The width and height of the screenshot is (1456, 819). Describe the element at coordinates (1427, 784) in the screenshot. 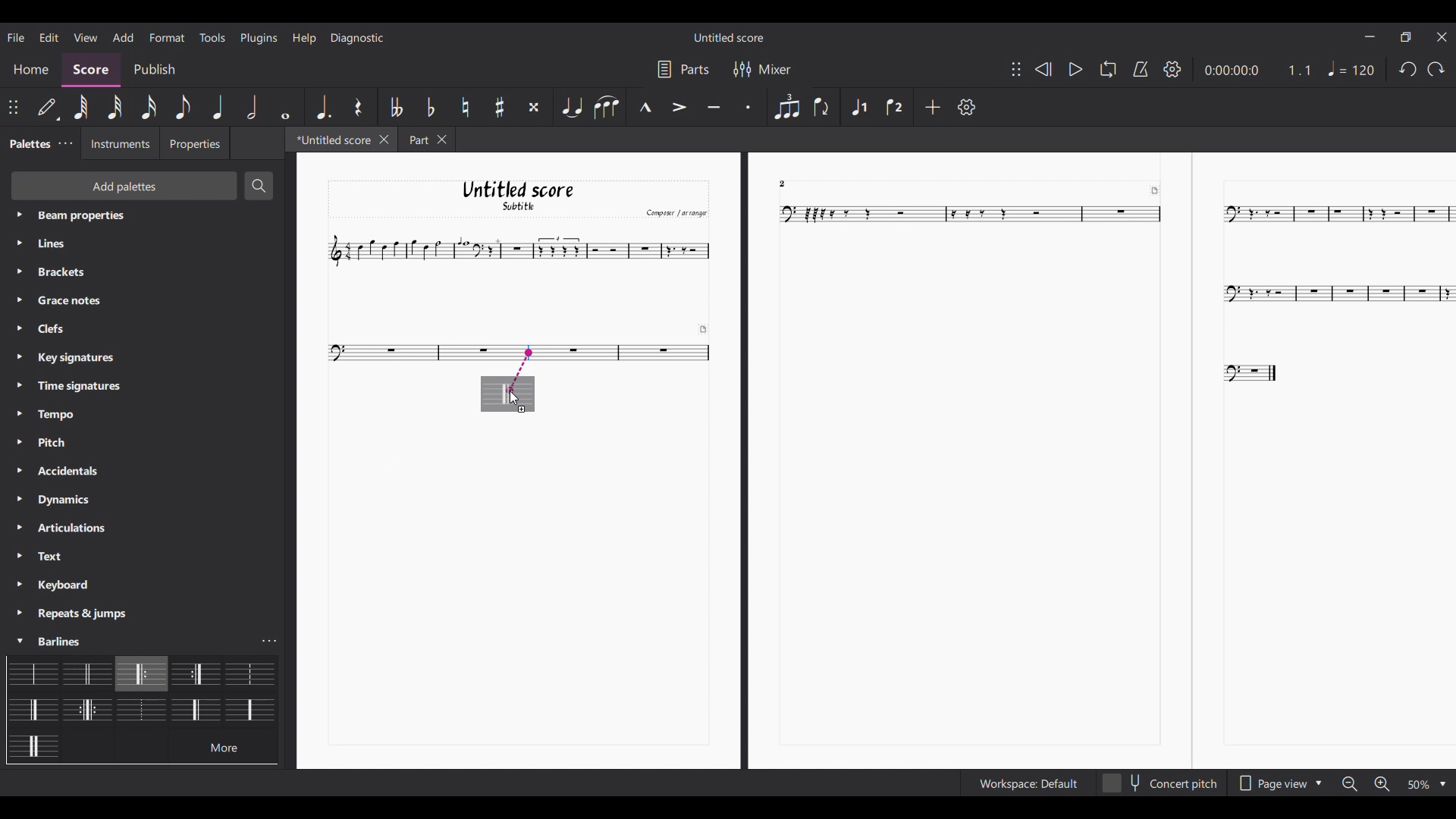

I see `Zoom options` at that location.